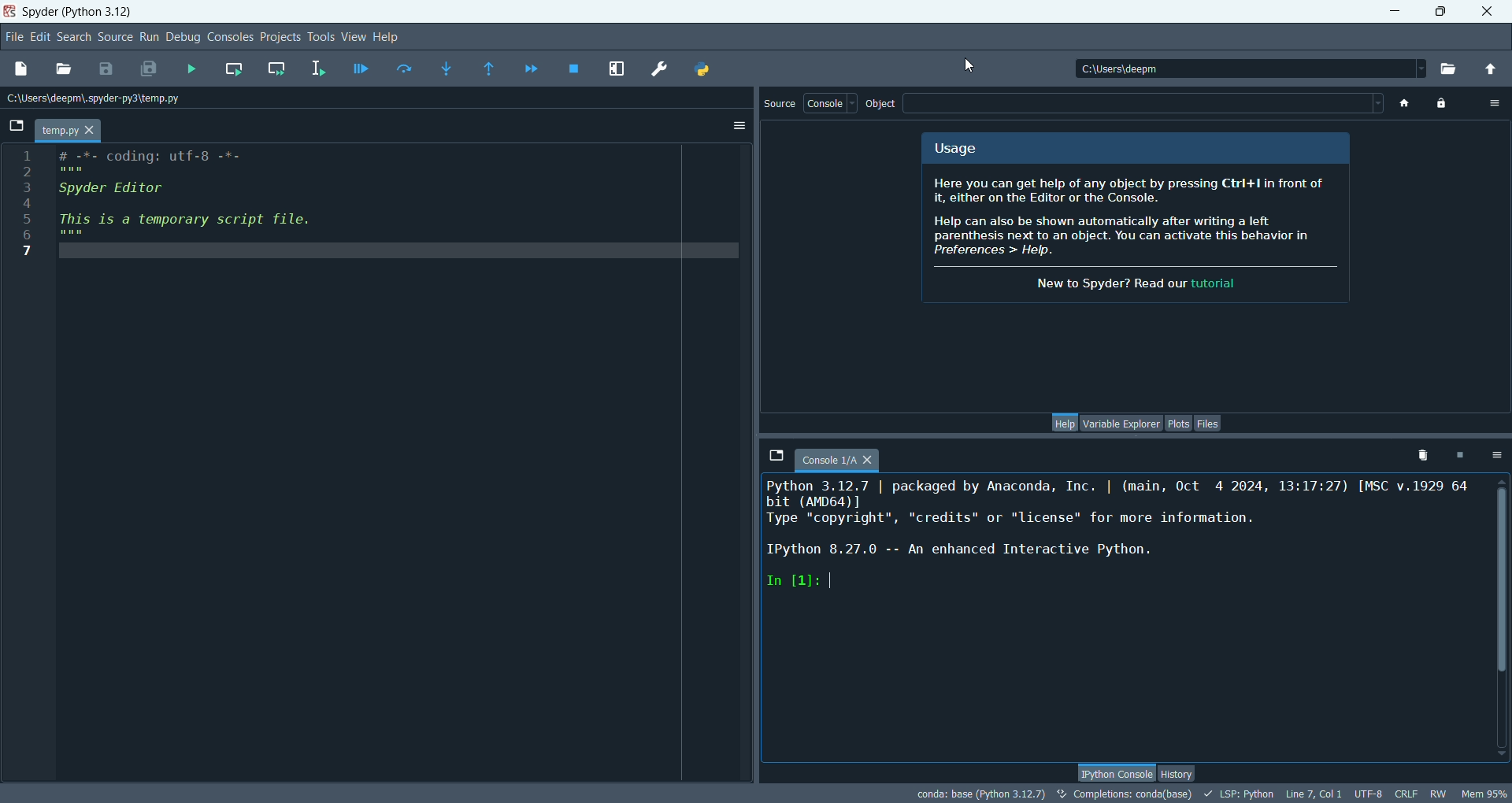 The width and height of the screenshot is (1512, 803). I want to click on tools, so click(323, 39).